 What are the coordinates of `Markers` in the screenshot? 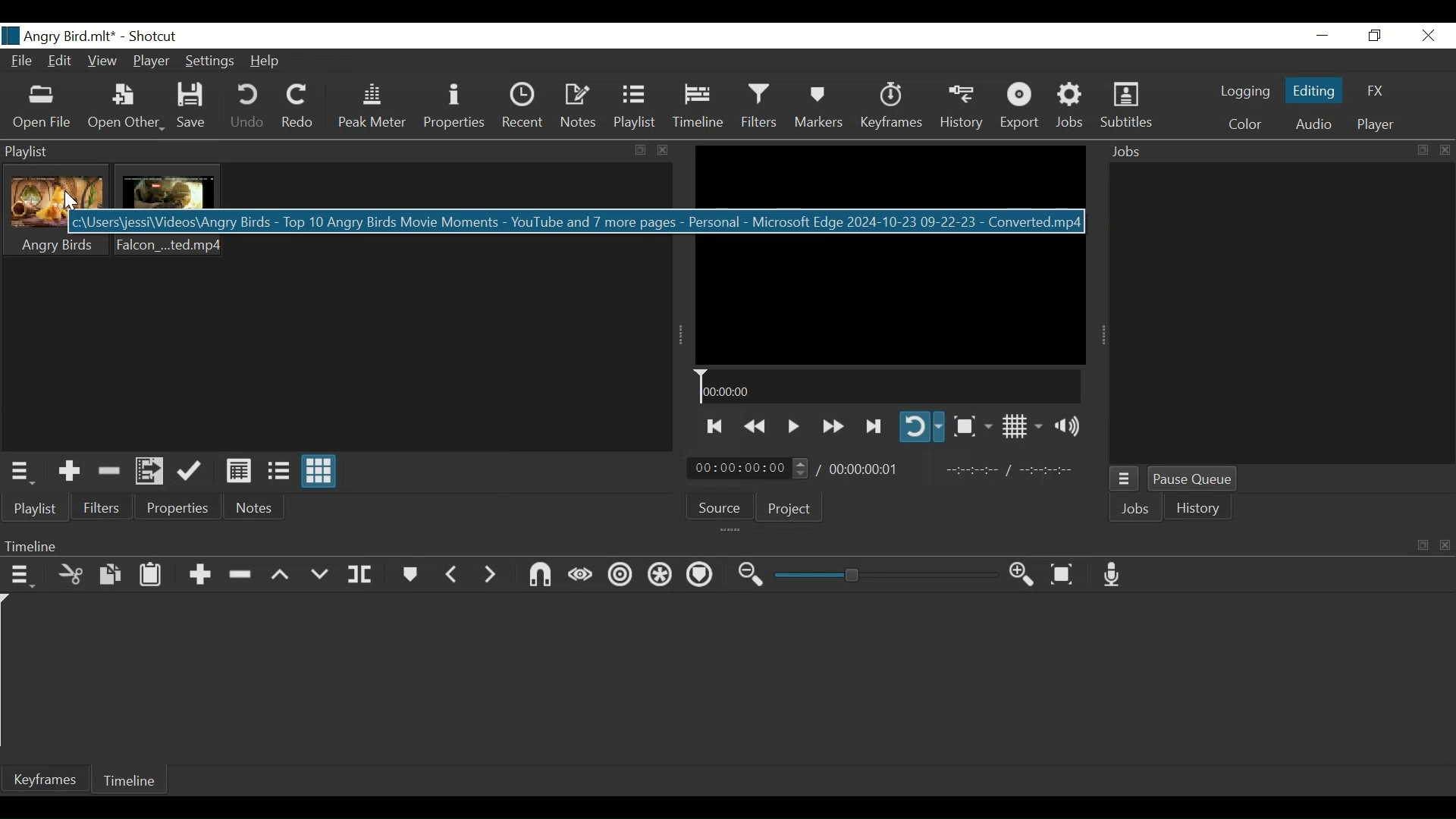 It's located at (411, 573).